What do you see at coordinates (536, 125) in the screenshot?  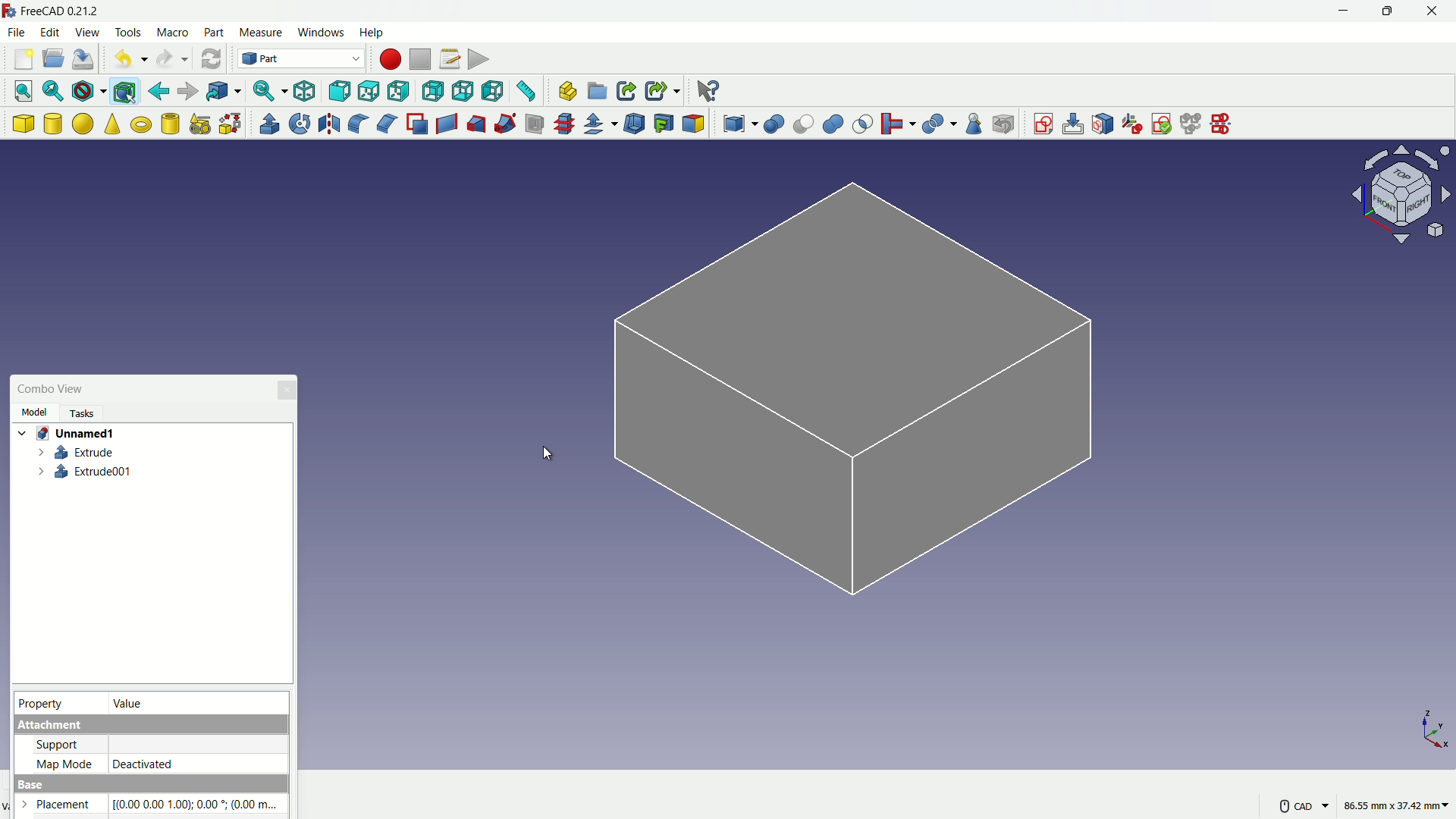 I see `section` at bounding box center [536, 125].